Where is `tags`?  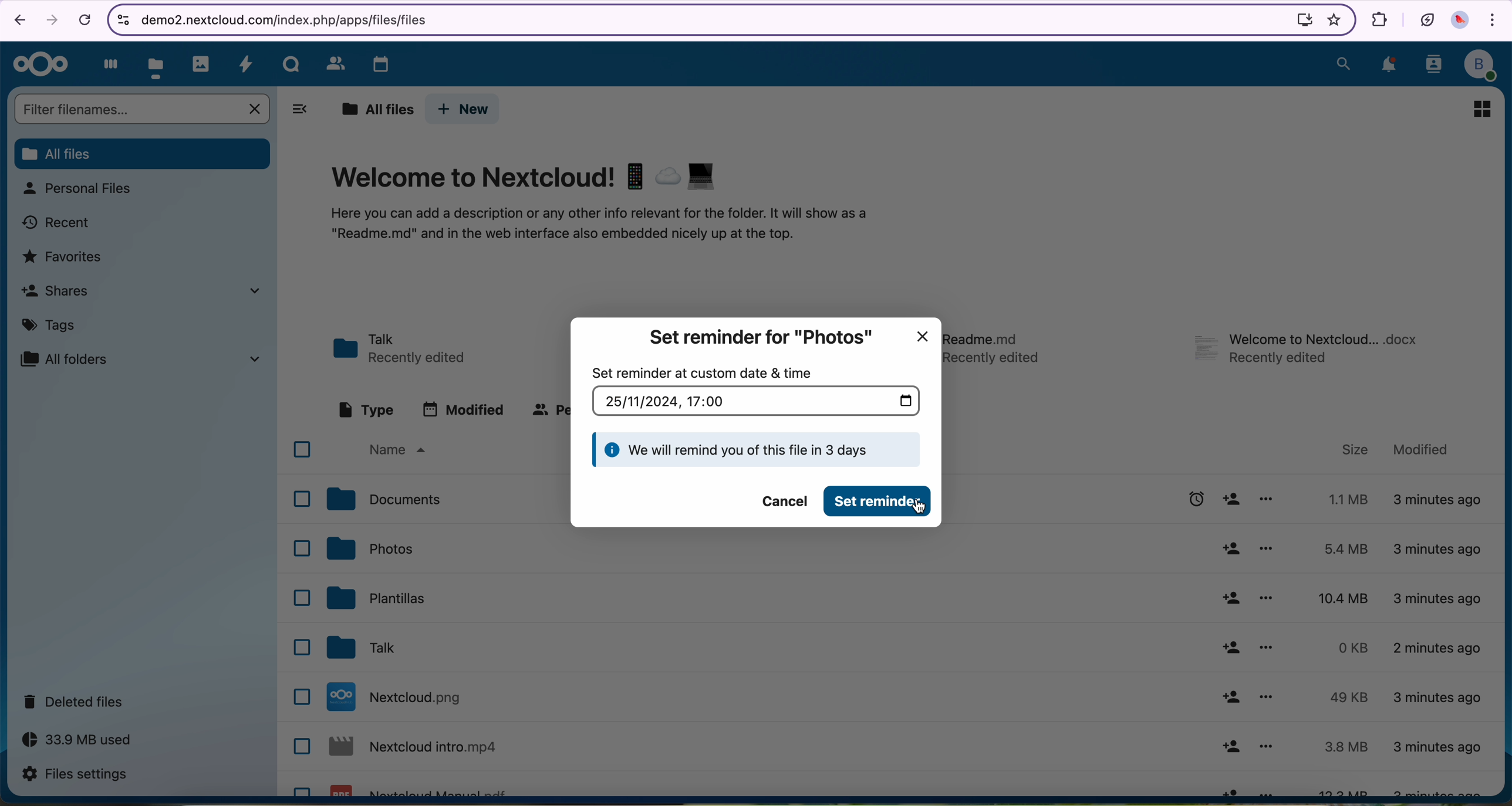 tags is located at coordinates (49, 327).